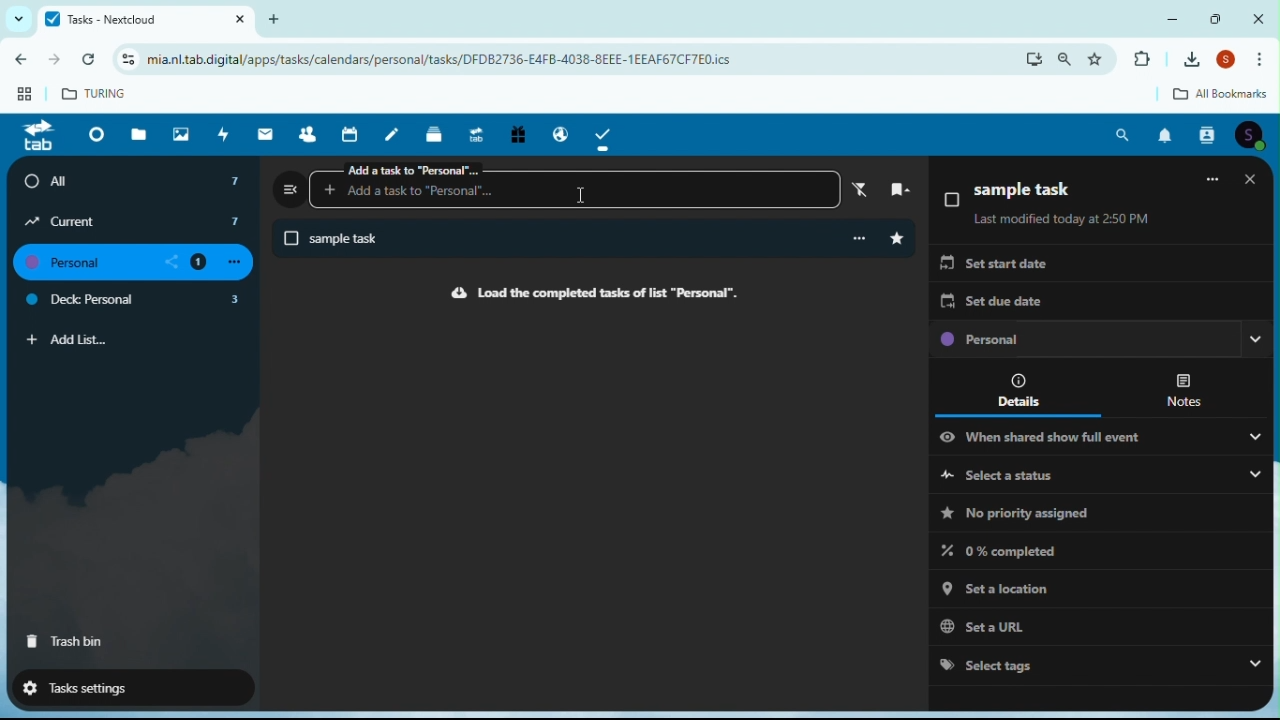 The image size is (1280, 720). I want to click on Personal, so click(139, 263).